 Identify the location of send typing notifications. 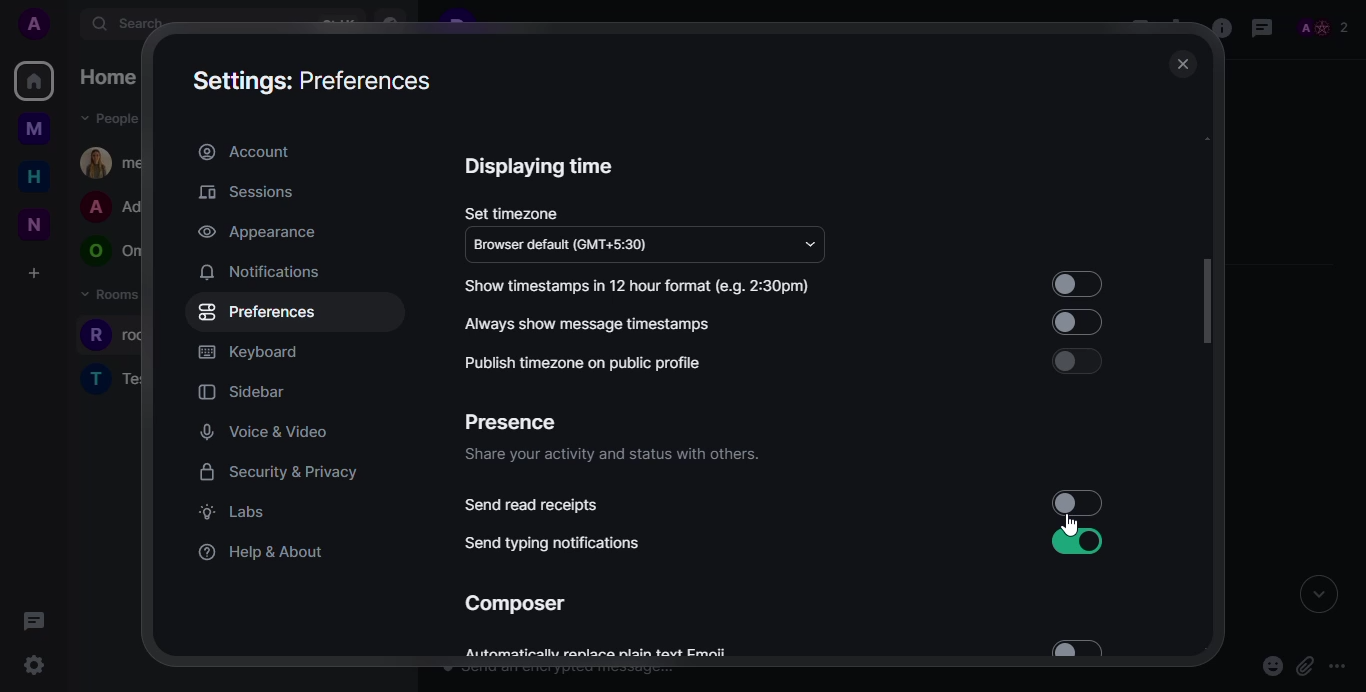
(553, 542).